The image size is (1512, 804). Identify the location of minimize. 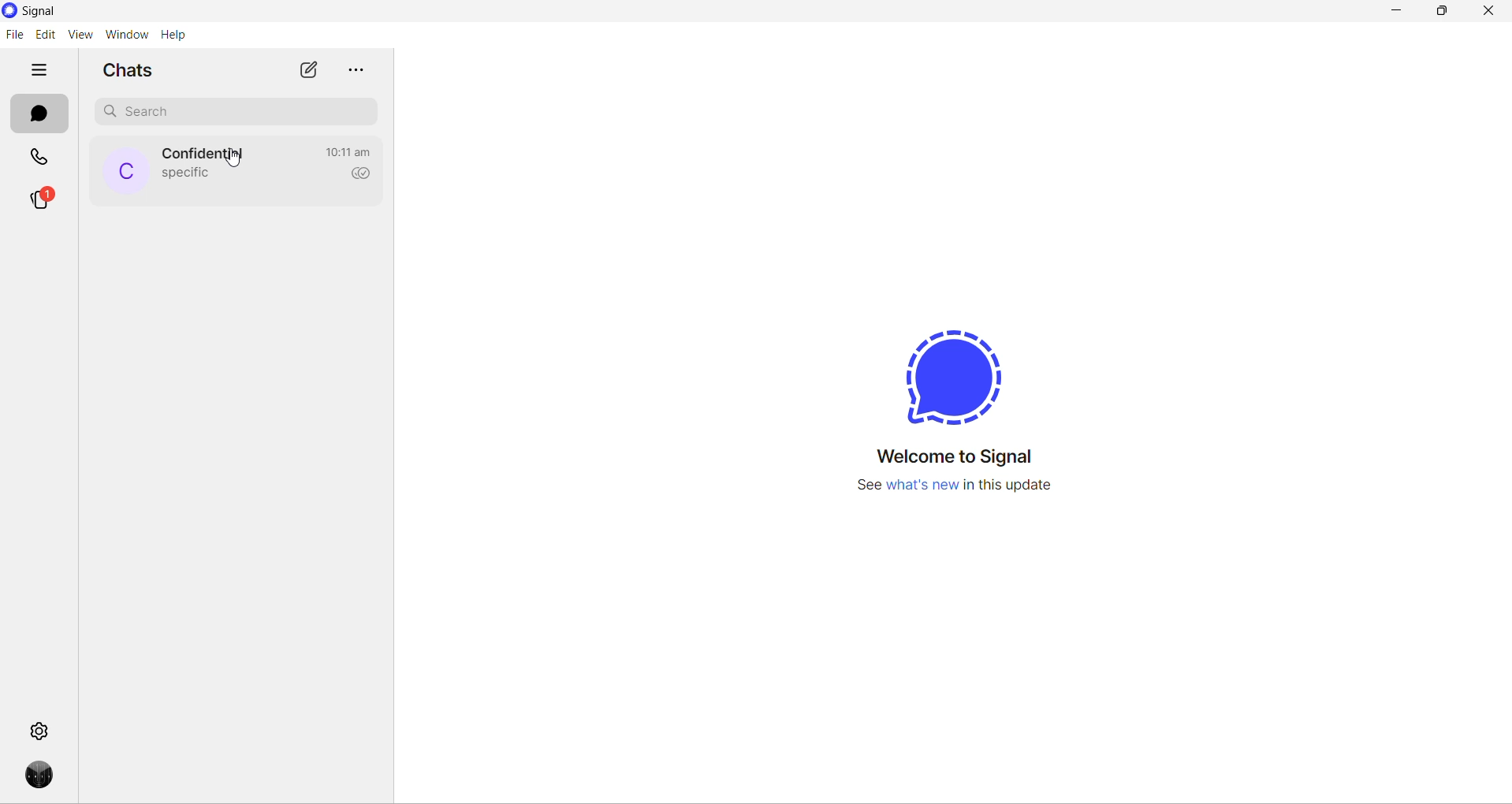
(1397, 13).